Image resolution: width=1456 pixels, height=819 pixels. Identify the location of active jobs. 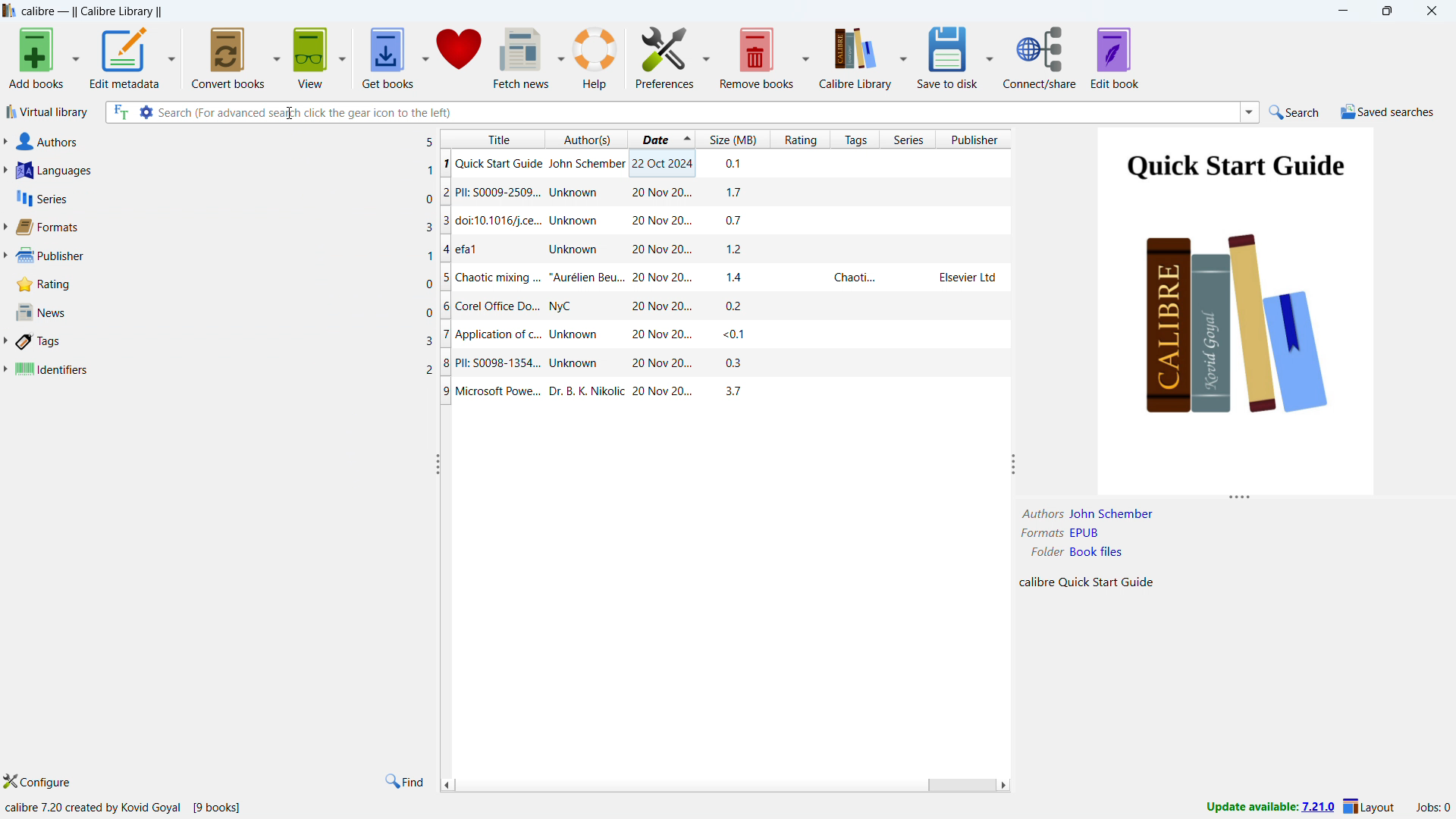
(1434, 808).